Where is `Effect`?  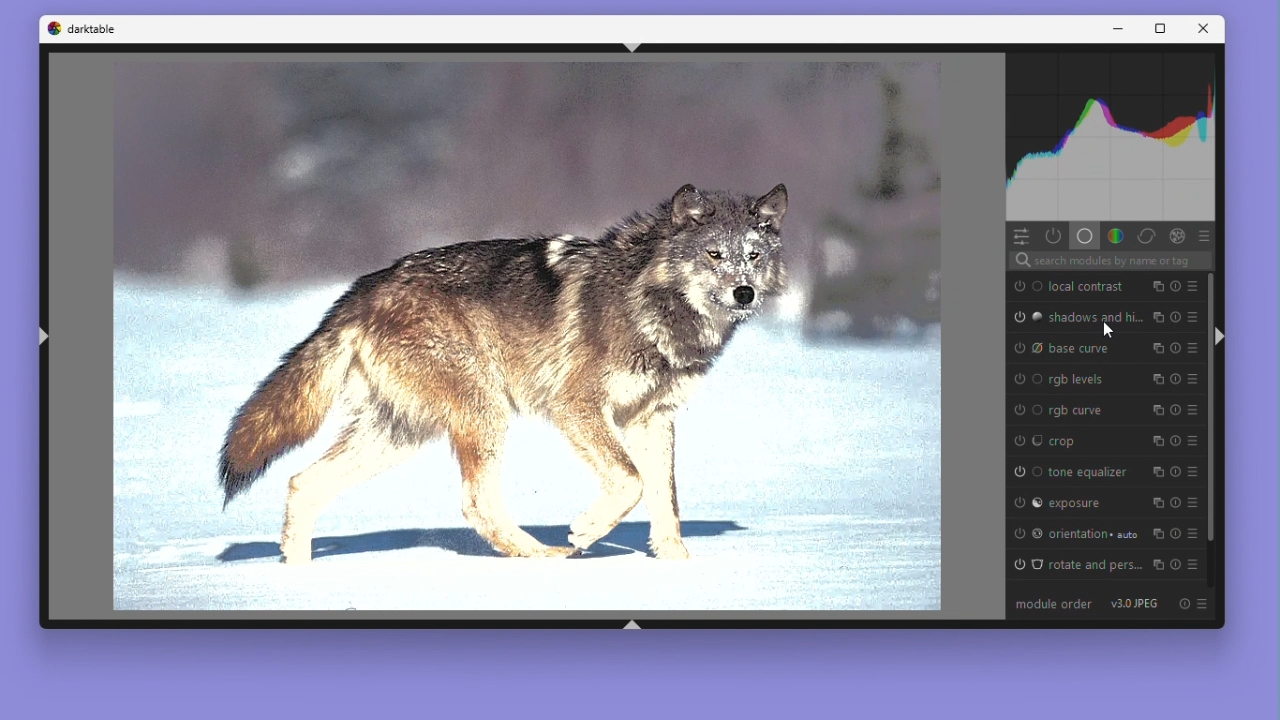 Effect is located at coordinates (1177, 236).